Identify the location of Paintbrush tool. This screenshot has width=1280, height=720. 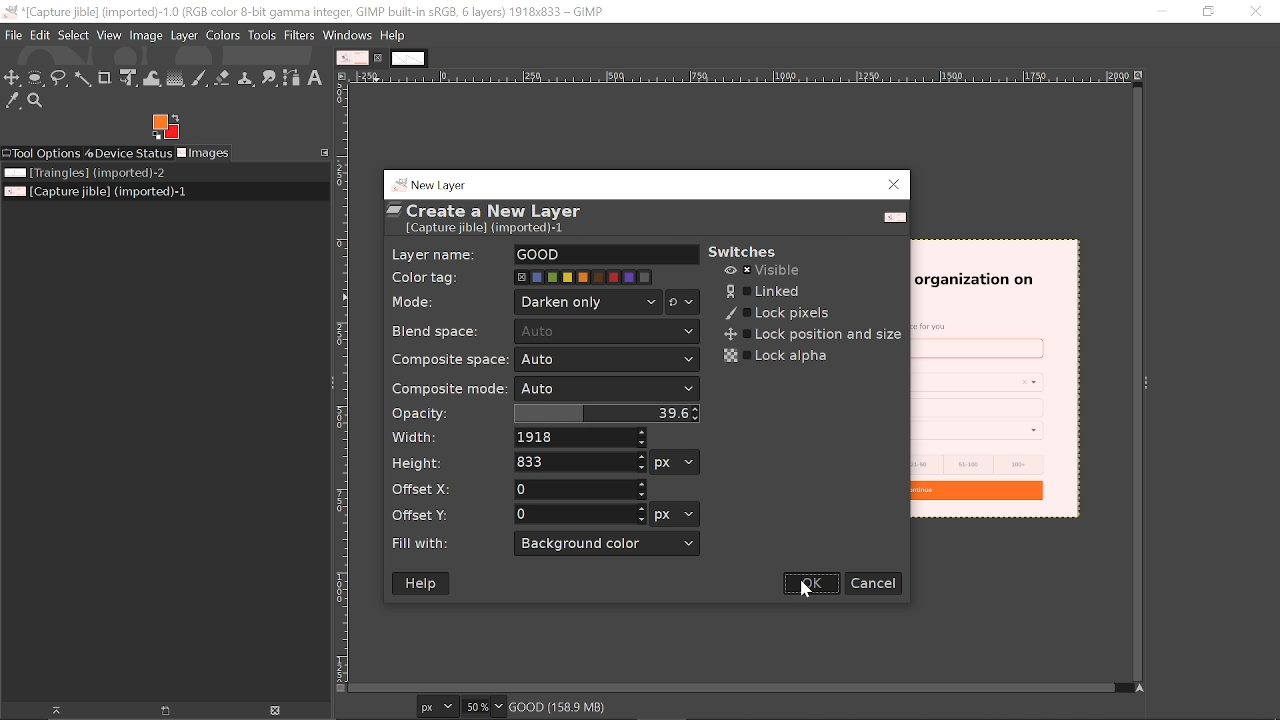
(199, 79).